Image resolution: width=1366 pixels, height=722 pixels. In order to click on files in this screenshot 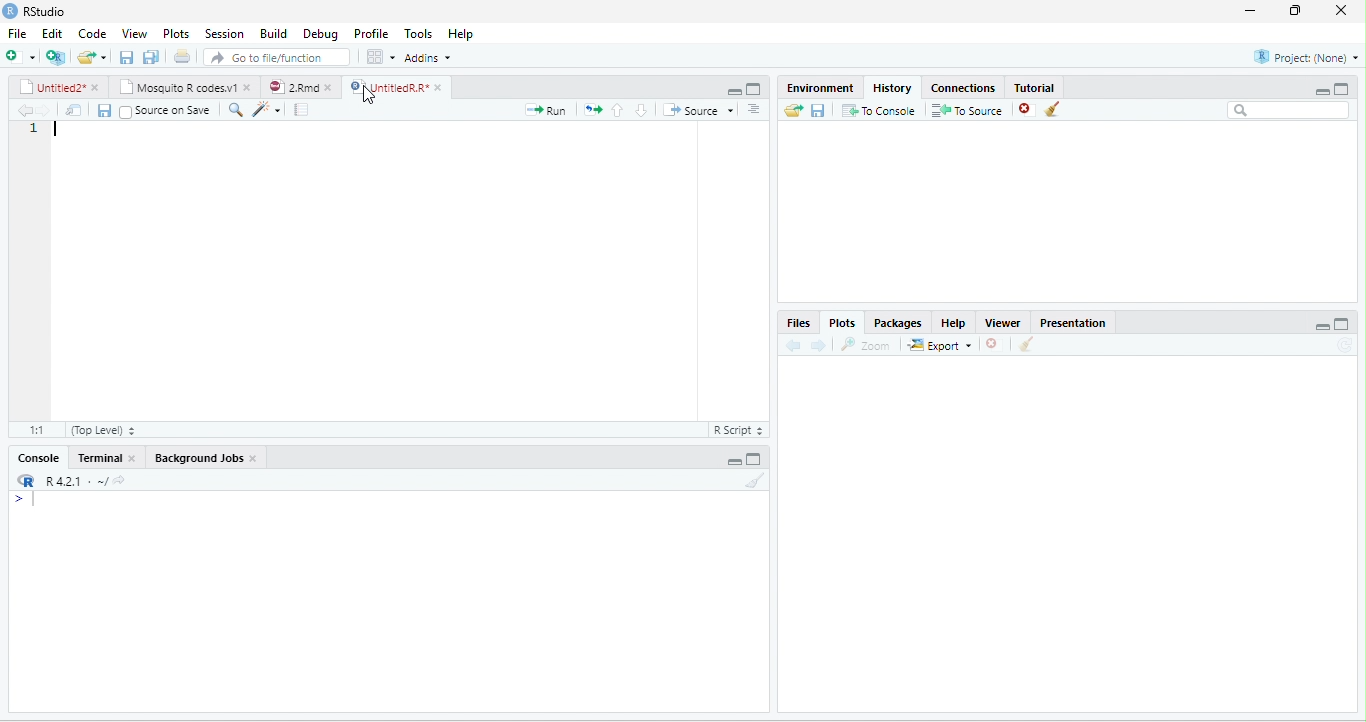, I will do `click(797, 322)`.